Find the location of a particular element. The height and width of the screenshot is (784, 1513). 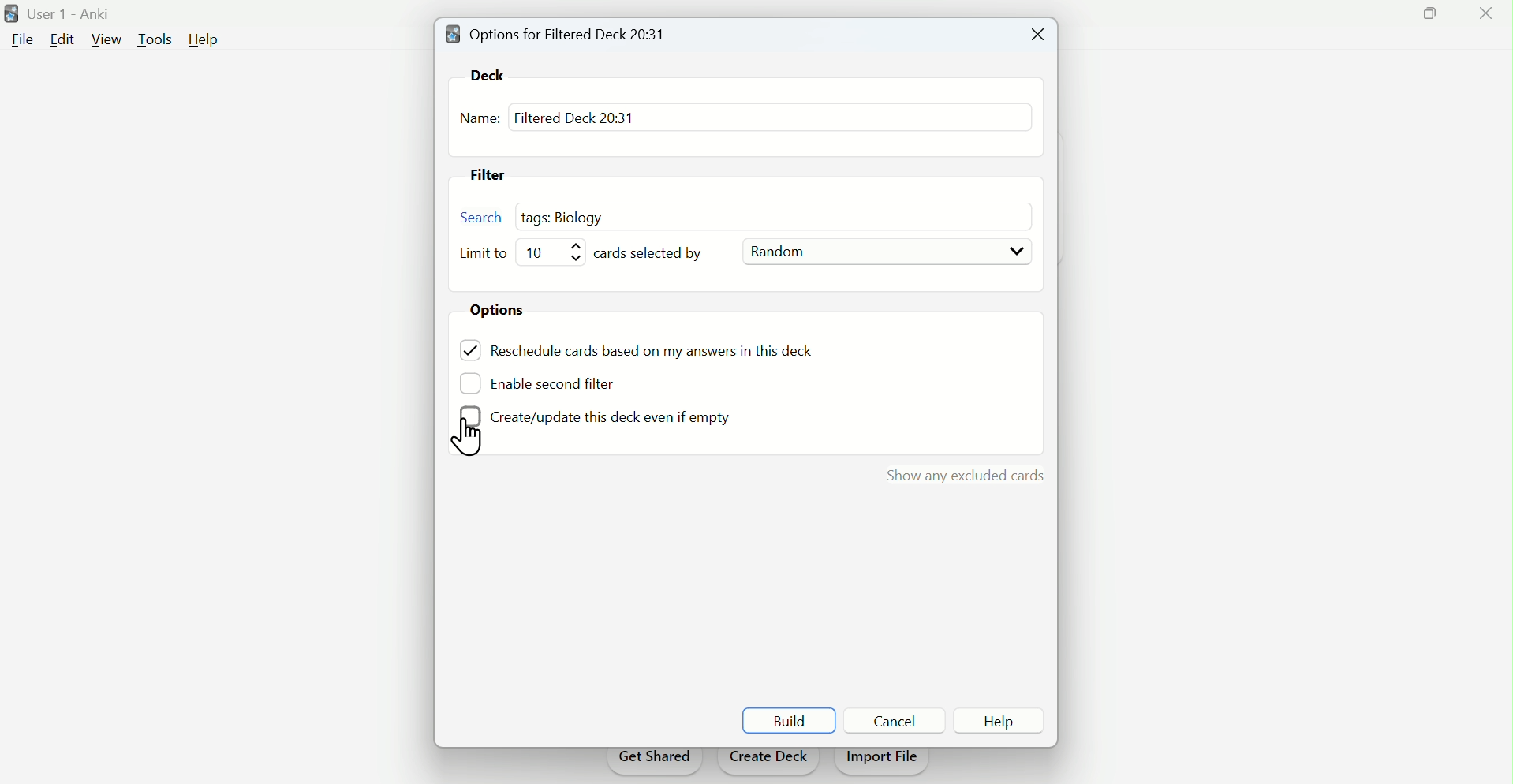

Tools is located at coordinates (158, 38).